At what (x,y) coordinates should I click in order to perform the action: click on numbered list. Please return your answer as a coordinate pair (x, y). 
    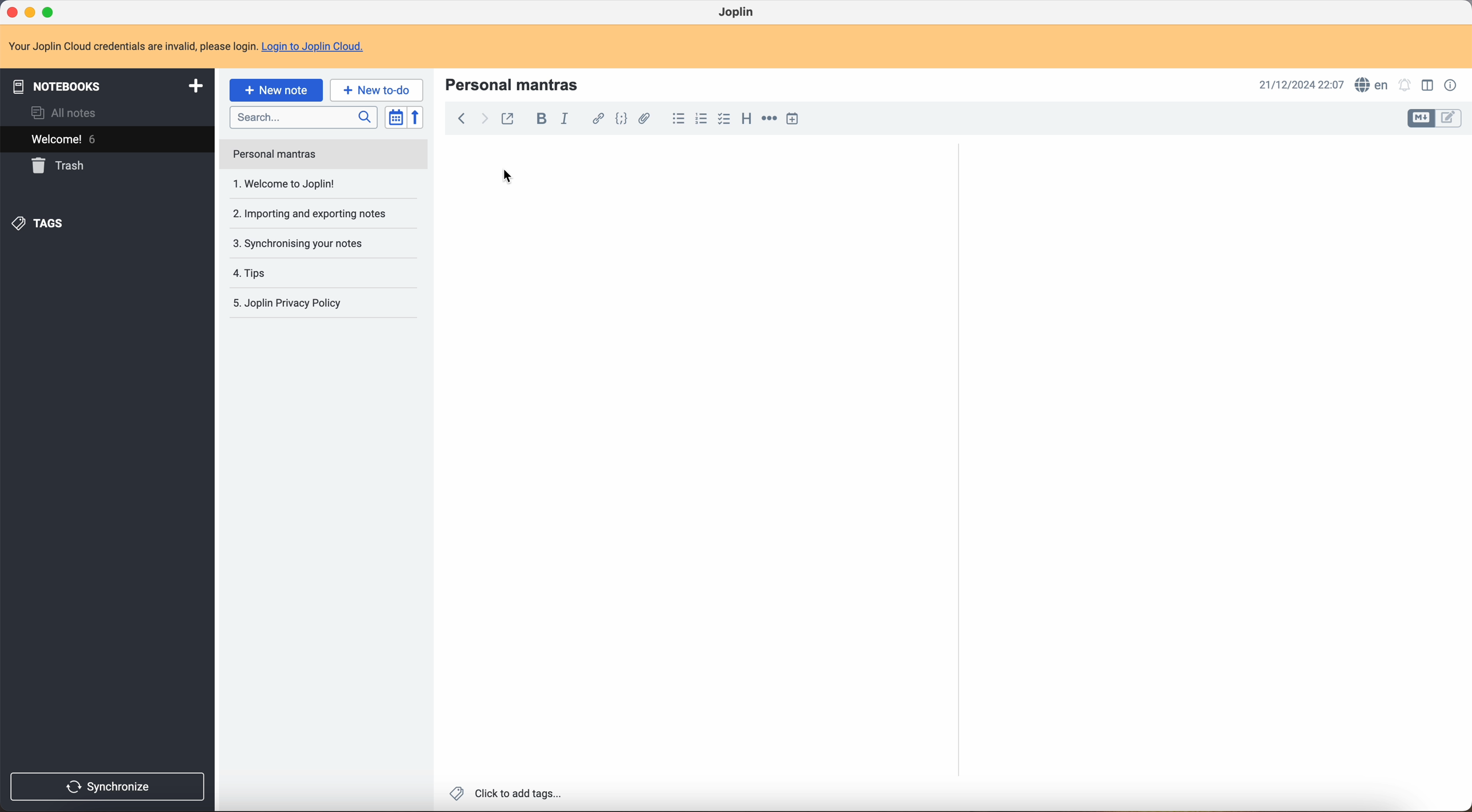
    Looking at the image, I should click on (702, 118).